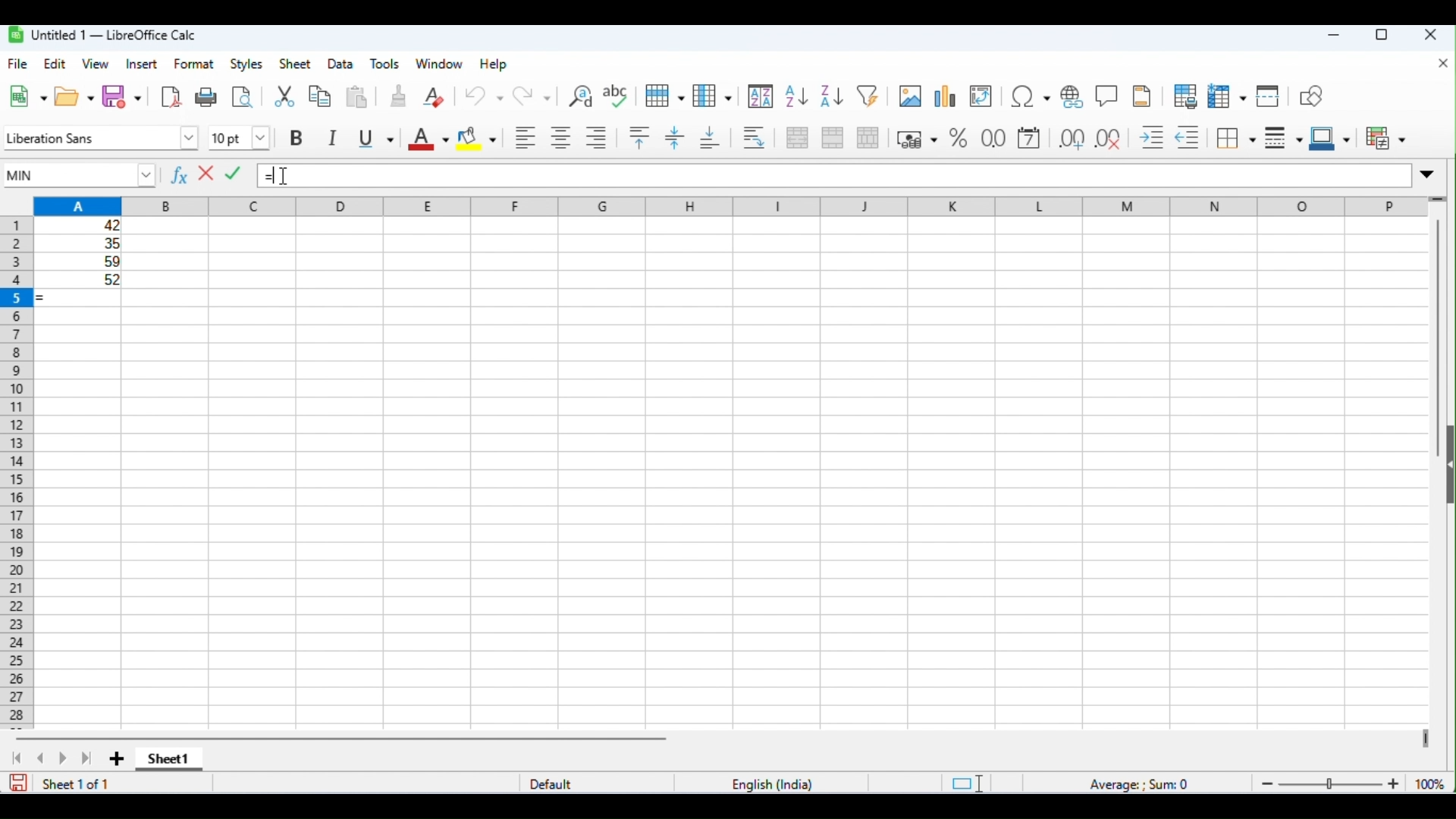 The height and width of the screenshot is (819, 1456). Describe the element at coordinates (96, 64) in the screenshot. I see `view` at that location.